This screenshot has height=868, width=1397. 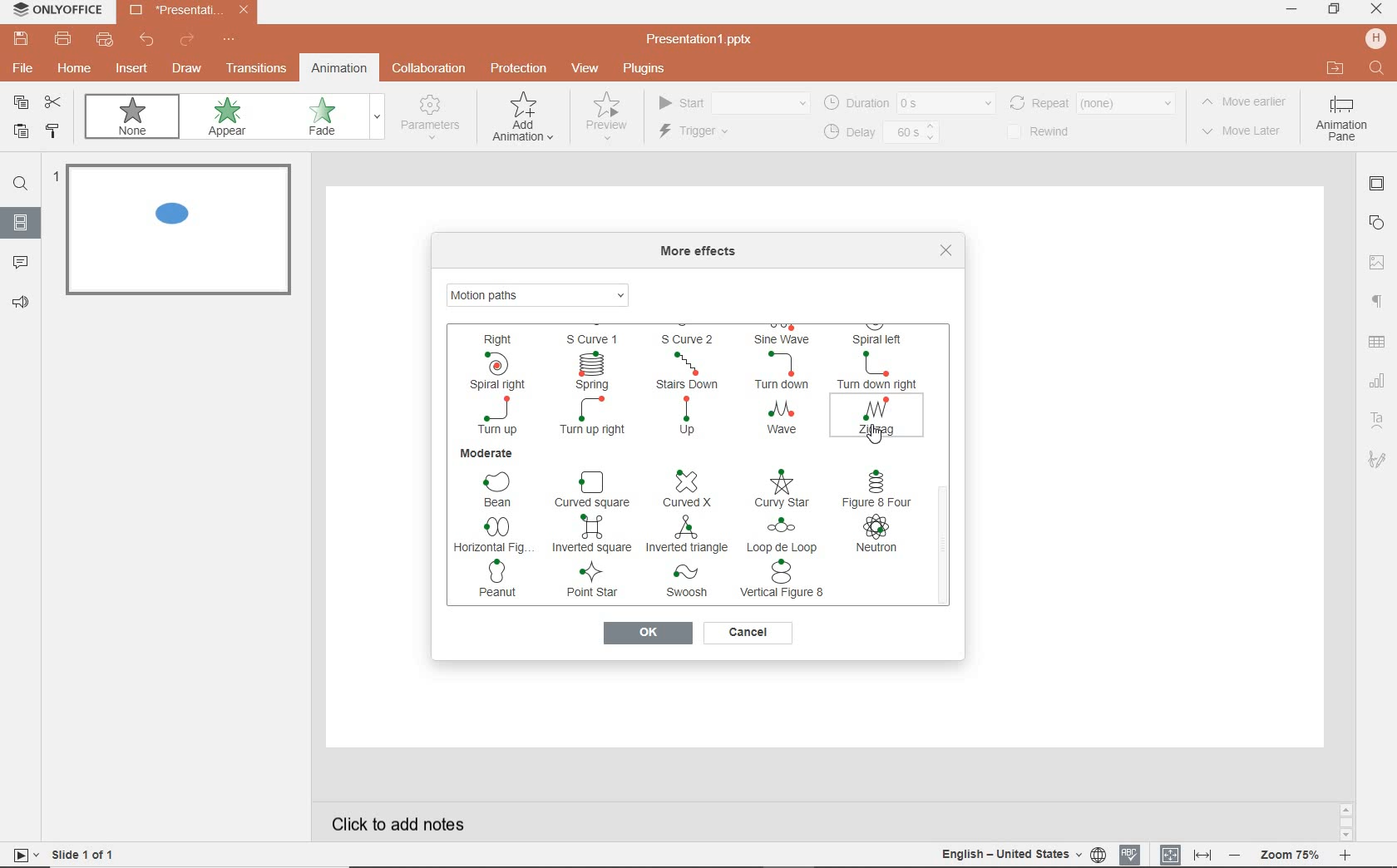 I want to click on move earlier, so click(x=1248, y=104).